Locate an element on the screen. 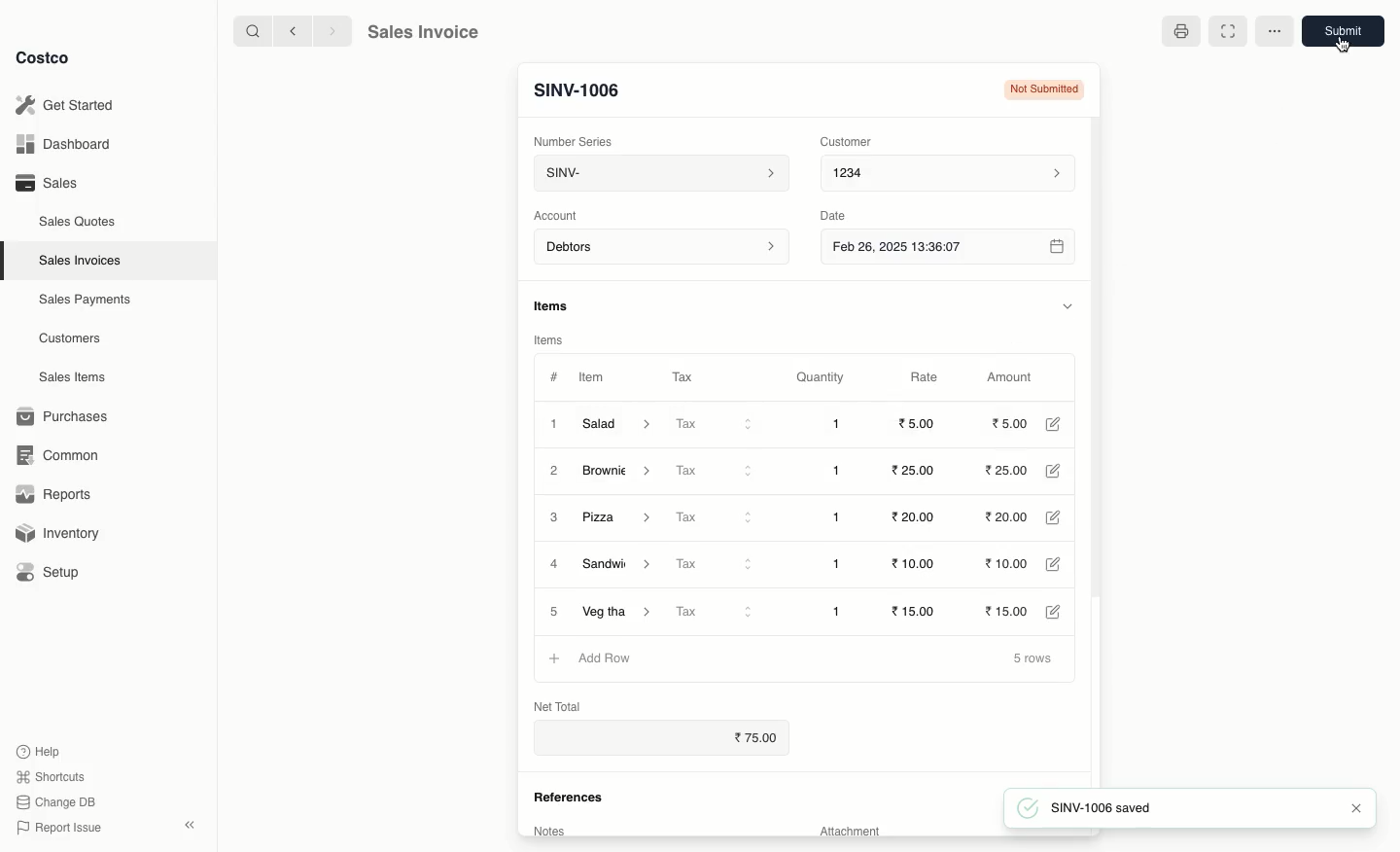 The height and width of the screenshot is (852, 1400). Item is located at coordinates (594, 379).